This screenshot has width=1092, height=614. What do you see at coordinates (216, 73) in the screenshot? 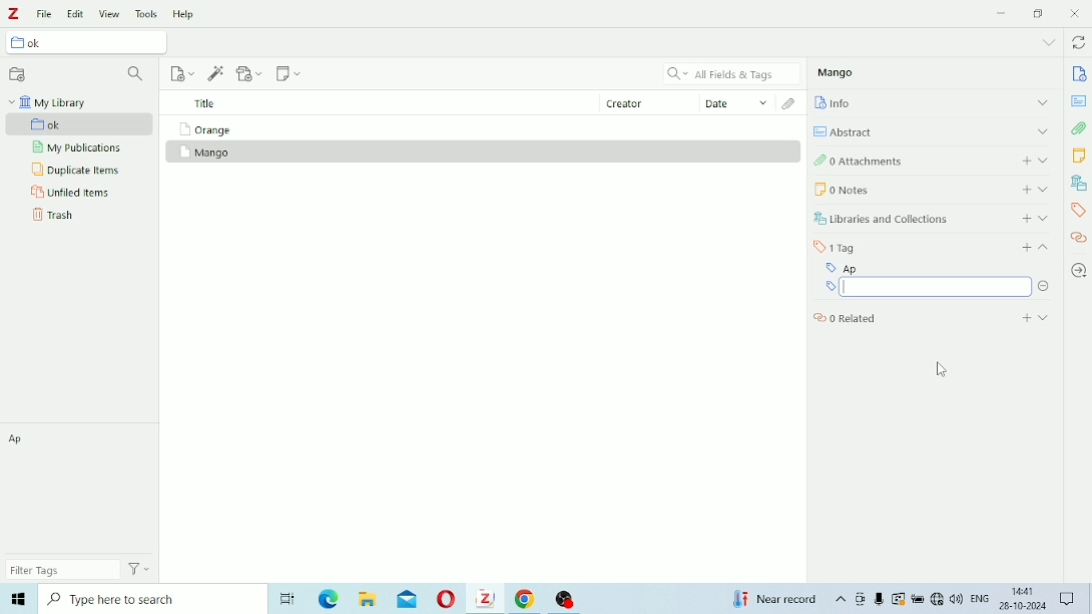
I see `Add Item (s) by Identifier` at bounding box center [216, 73].